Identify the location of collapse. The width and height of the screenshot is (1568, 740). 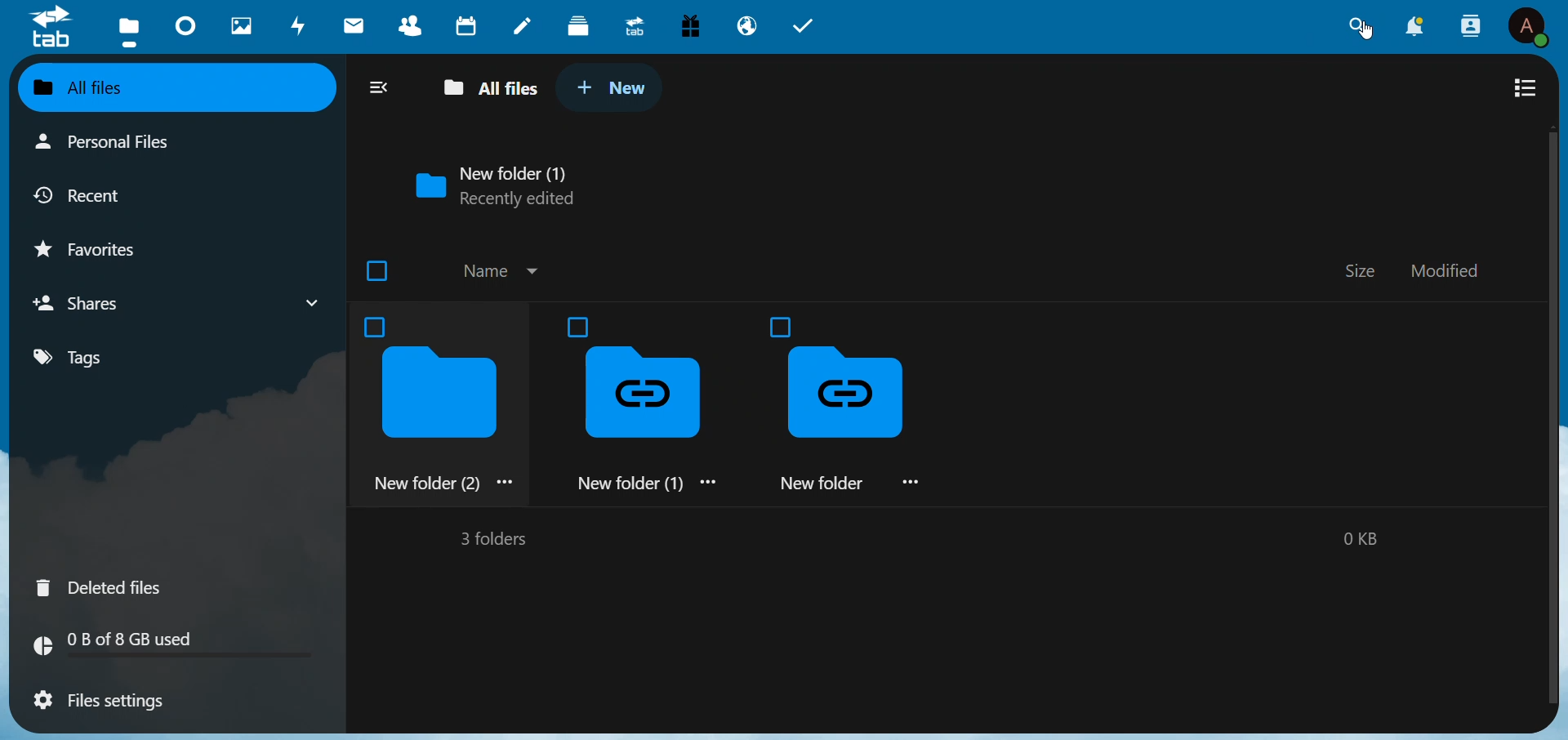
(382, 89).